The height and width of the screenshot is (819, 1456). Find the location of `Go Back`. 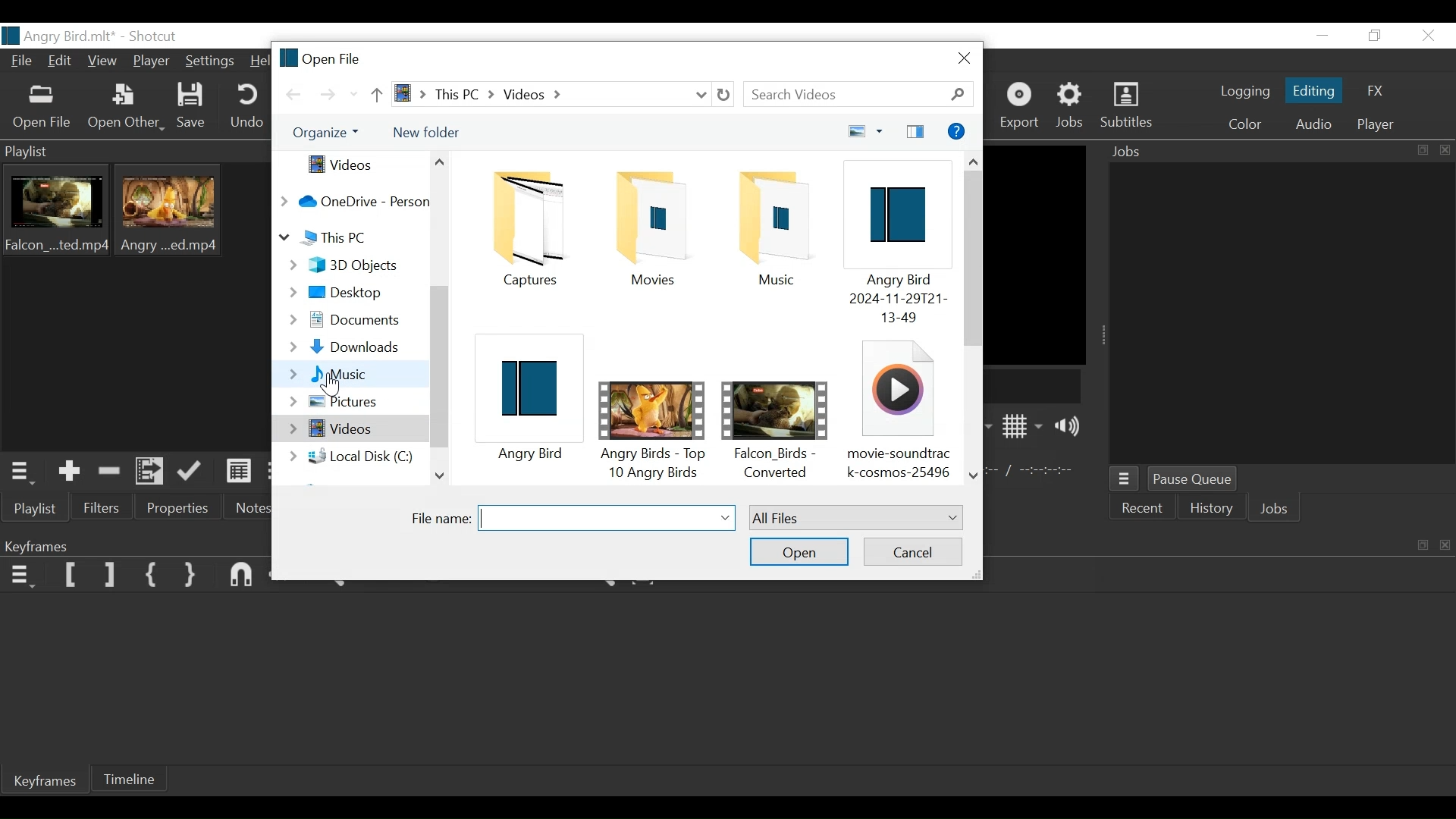

Go Back is located at coordinates (294, 95).